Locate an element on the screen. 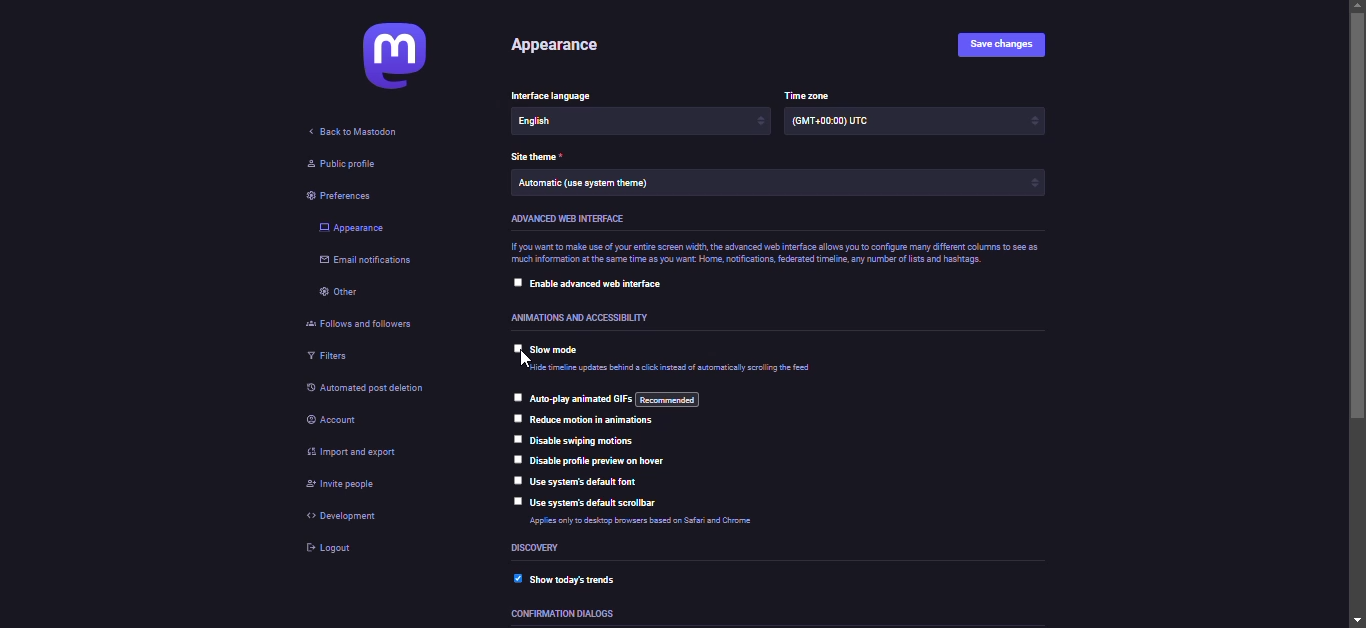 The height and width of the screenshot is (628, 1366). logout is located at coordinates (327, 548).